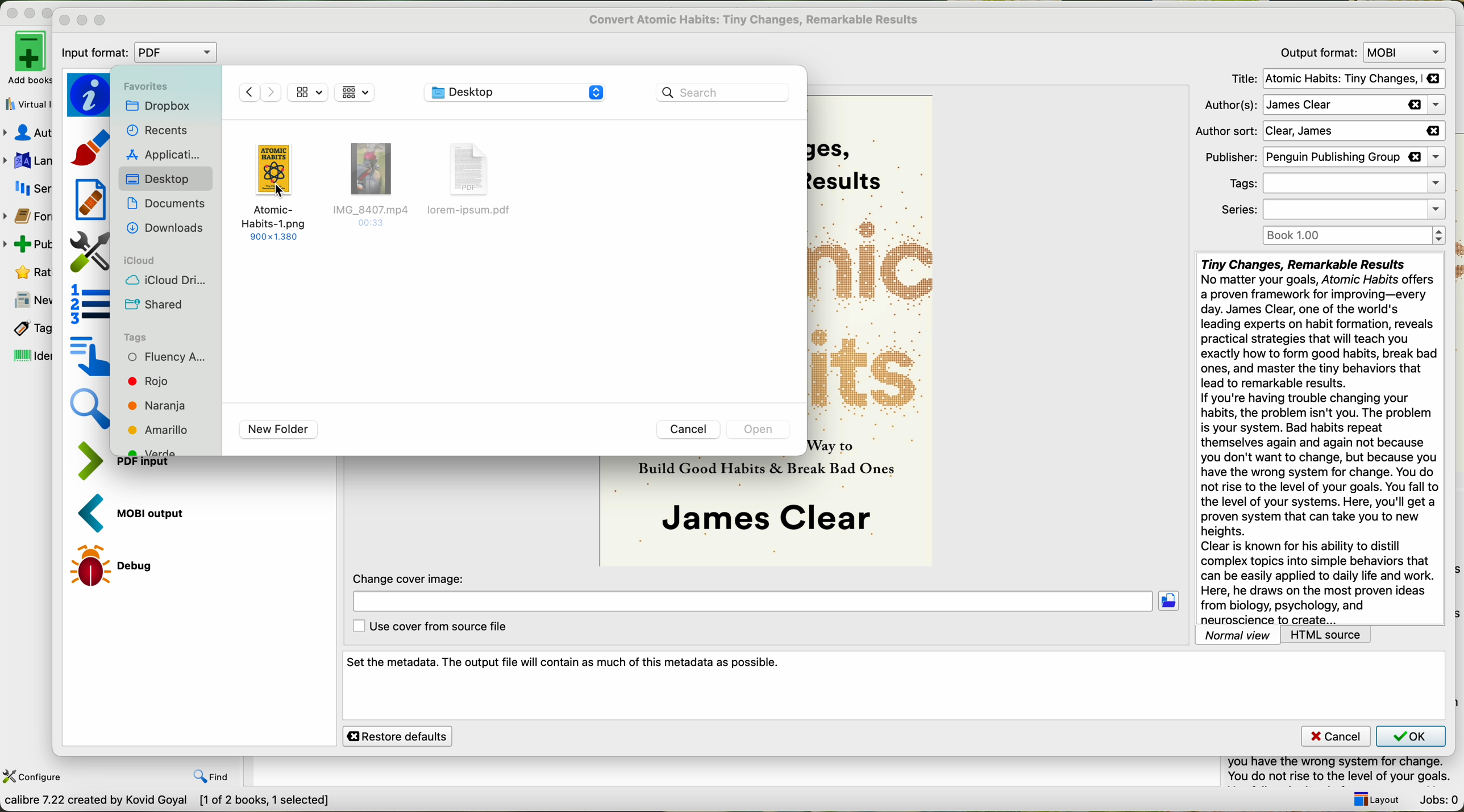 The width and height of the screenshot is (1464, 812). I want to click on author sort, so click(1319, 131).